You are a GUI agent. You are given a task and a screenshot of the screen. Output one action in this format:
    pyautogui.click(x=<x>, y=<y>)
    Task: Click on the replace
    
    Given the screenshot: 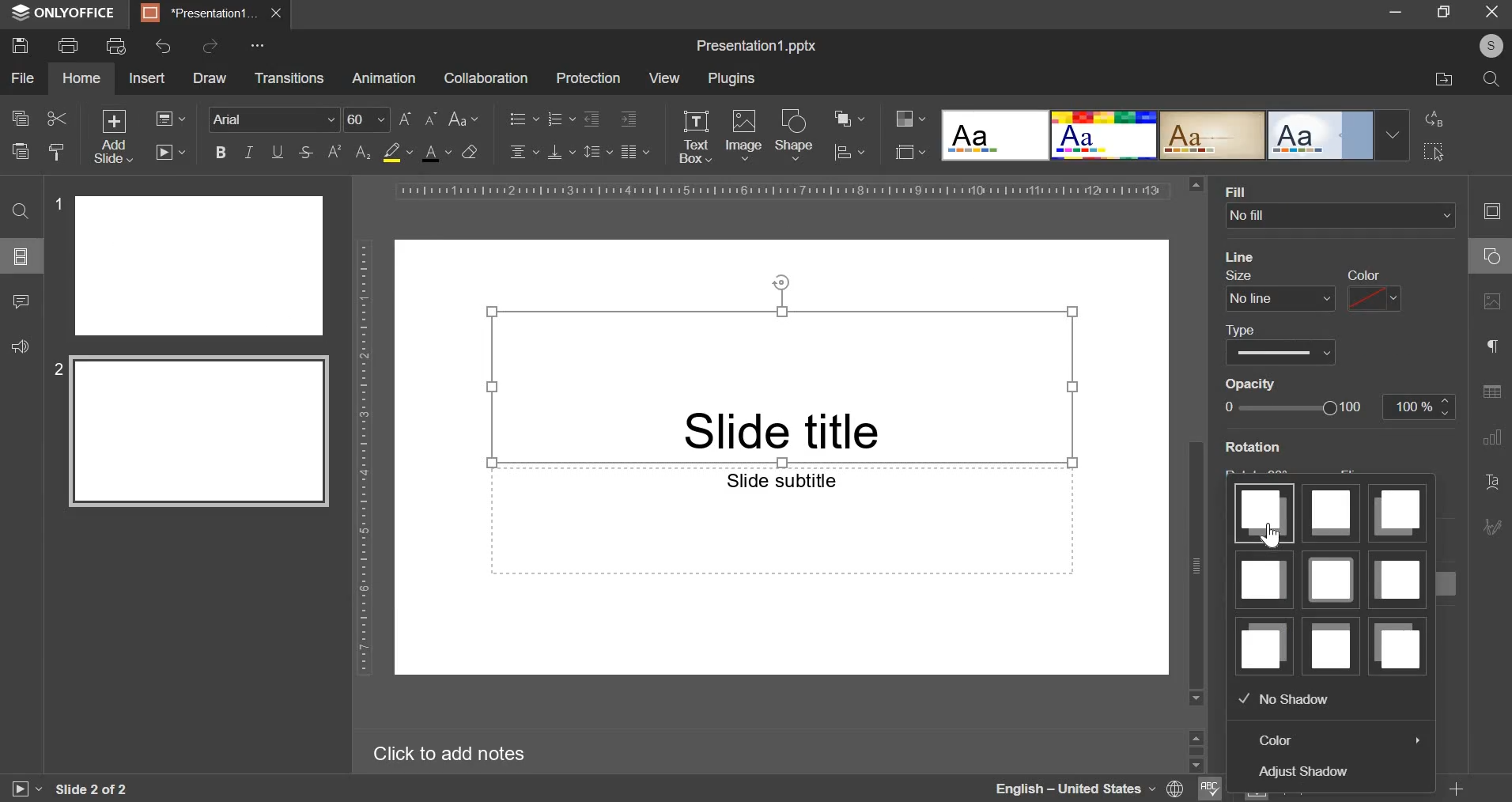 What is the action you would take?
    pyautogui.click(x=1431, y=119)
    